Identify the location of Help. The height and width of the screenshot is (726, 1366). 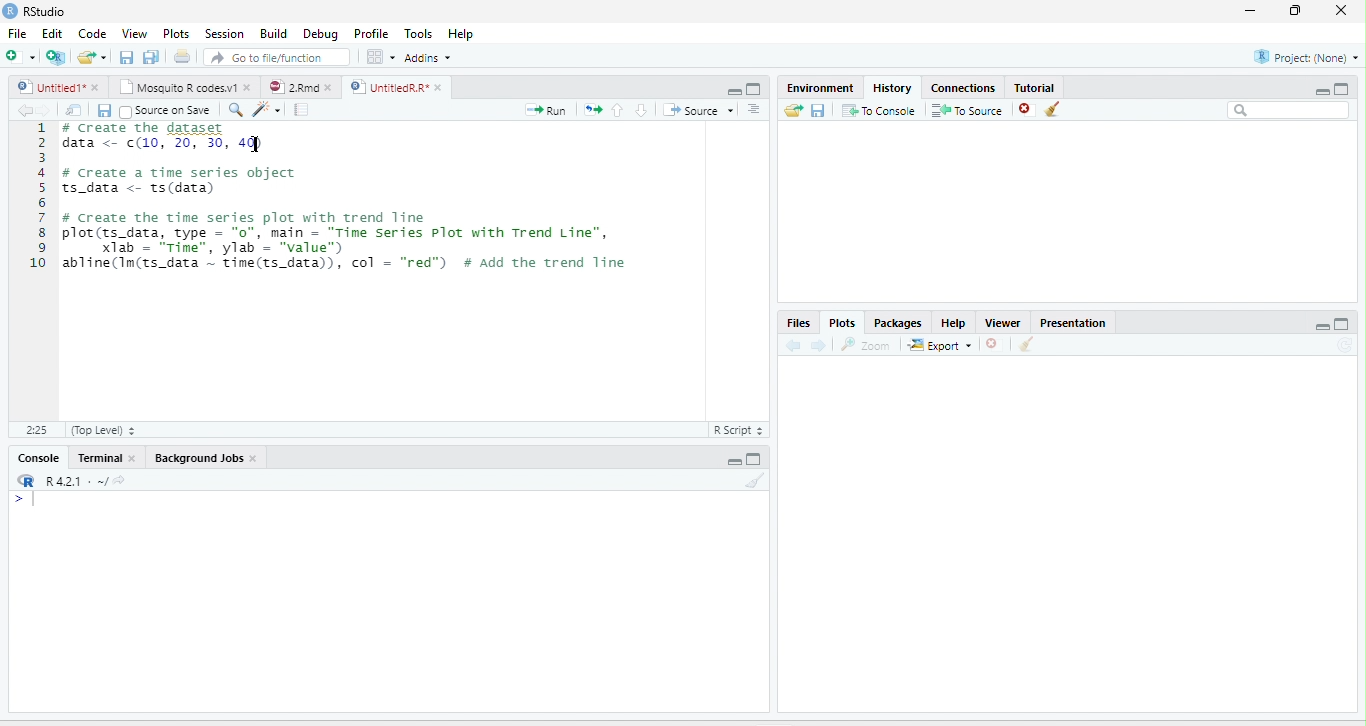
(460, 33).